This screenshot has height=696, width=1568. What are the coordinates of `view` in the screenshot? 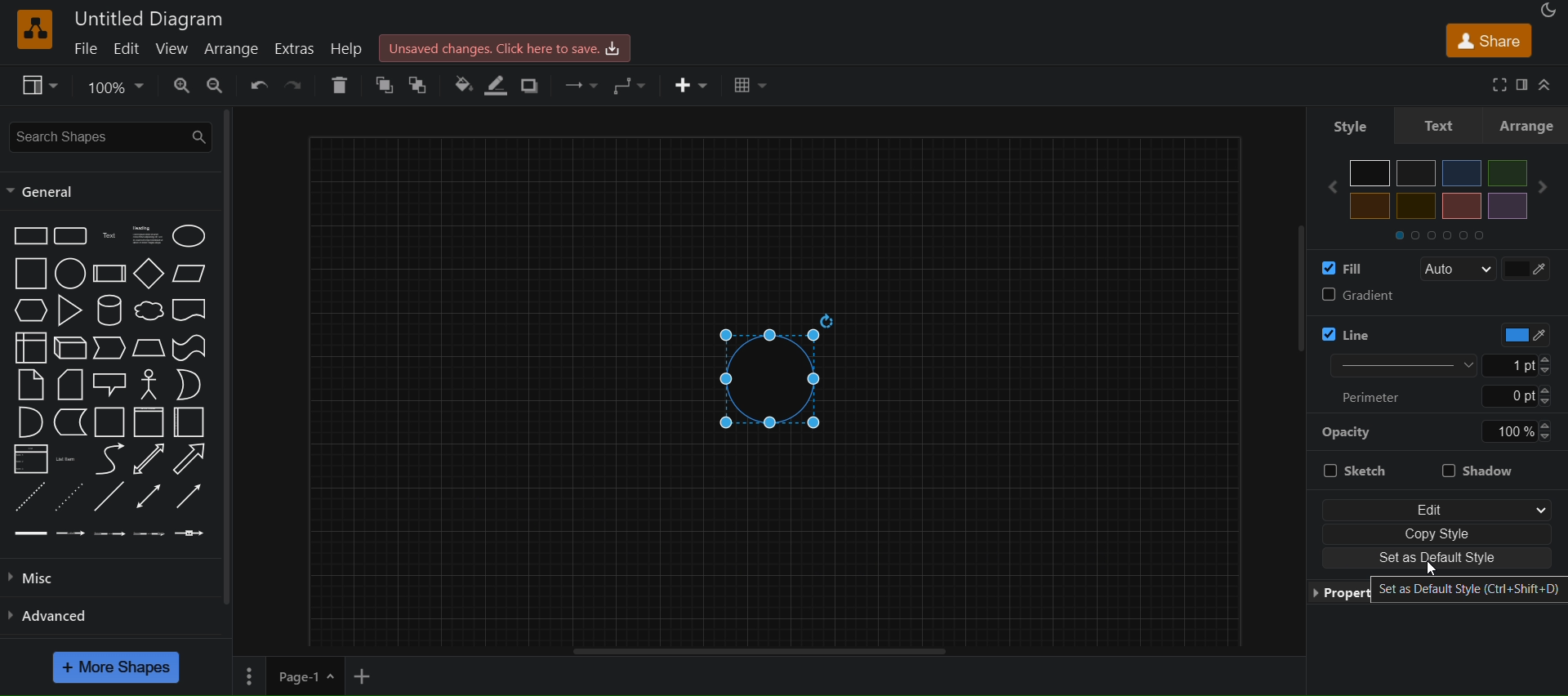 It's located at (42, 86).